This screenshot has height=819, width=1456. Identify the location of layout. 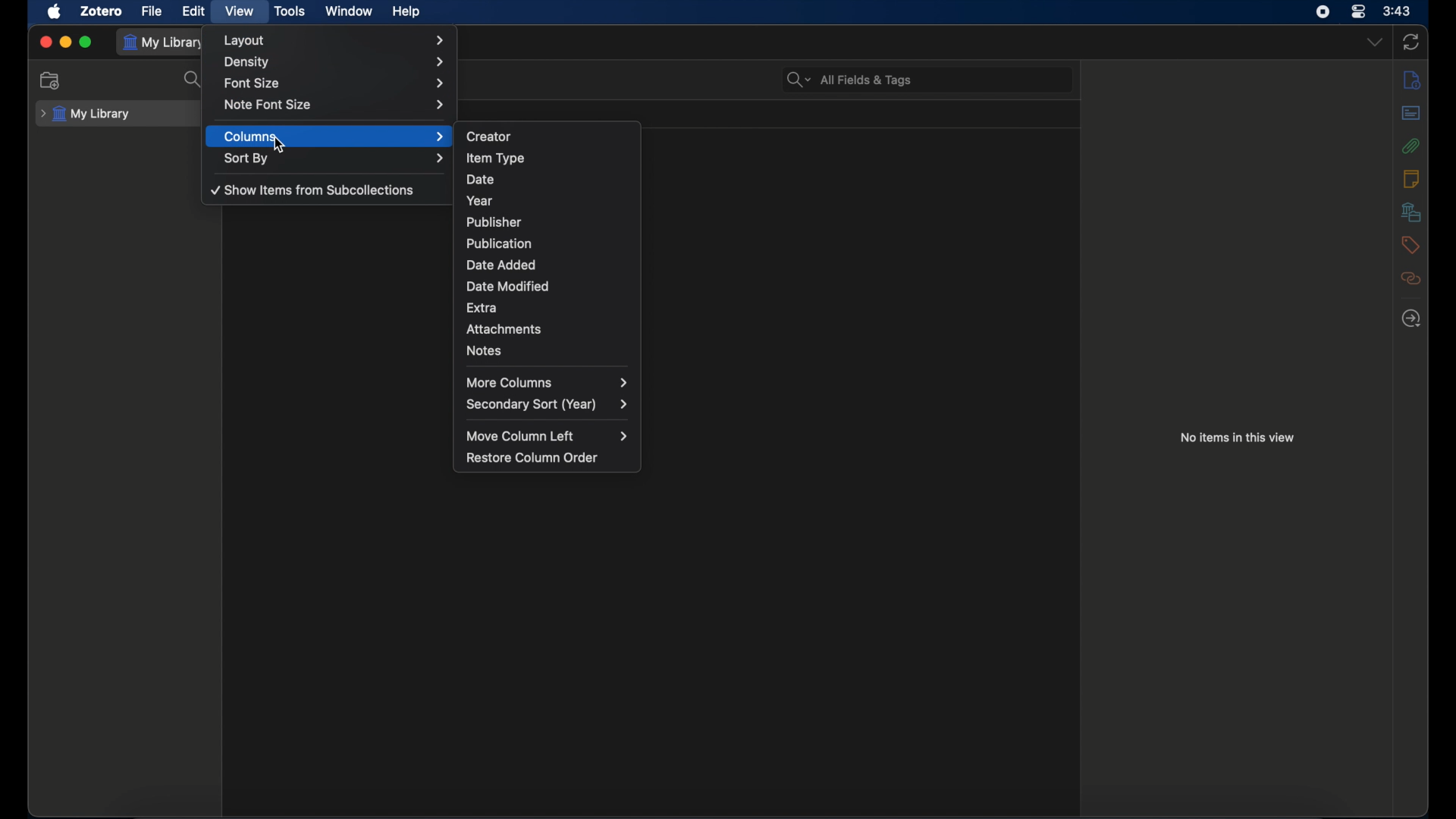
(335, 40).